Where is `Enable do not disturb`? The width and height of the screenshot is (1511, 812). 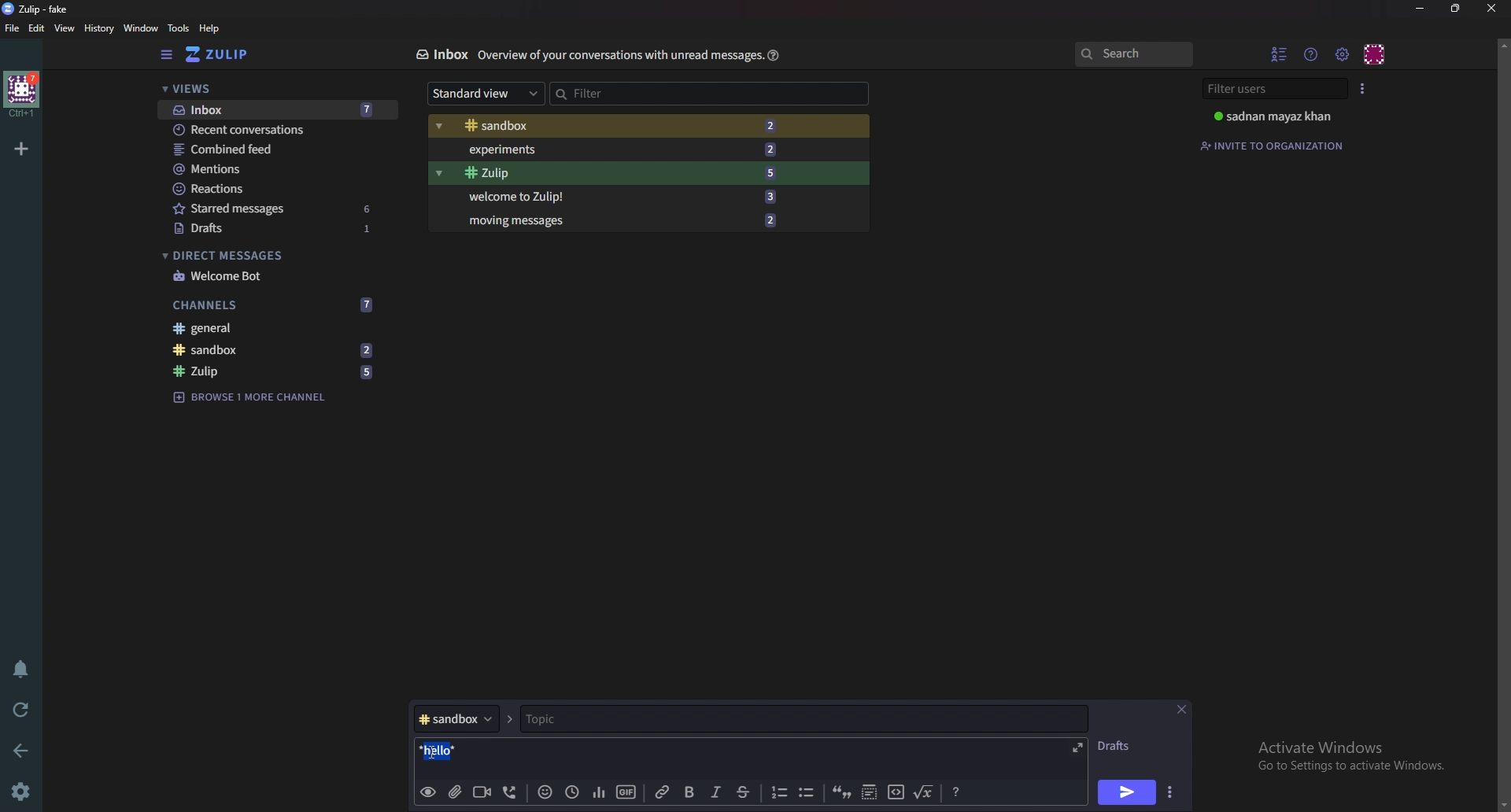 Enable do not disturb is located at coordinates (21, 668).